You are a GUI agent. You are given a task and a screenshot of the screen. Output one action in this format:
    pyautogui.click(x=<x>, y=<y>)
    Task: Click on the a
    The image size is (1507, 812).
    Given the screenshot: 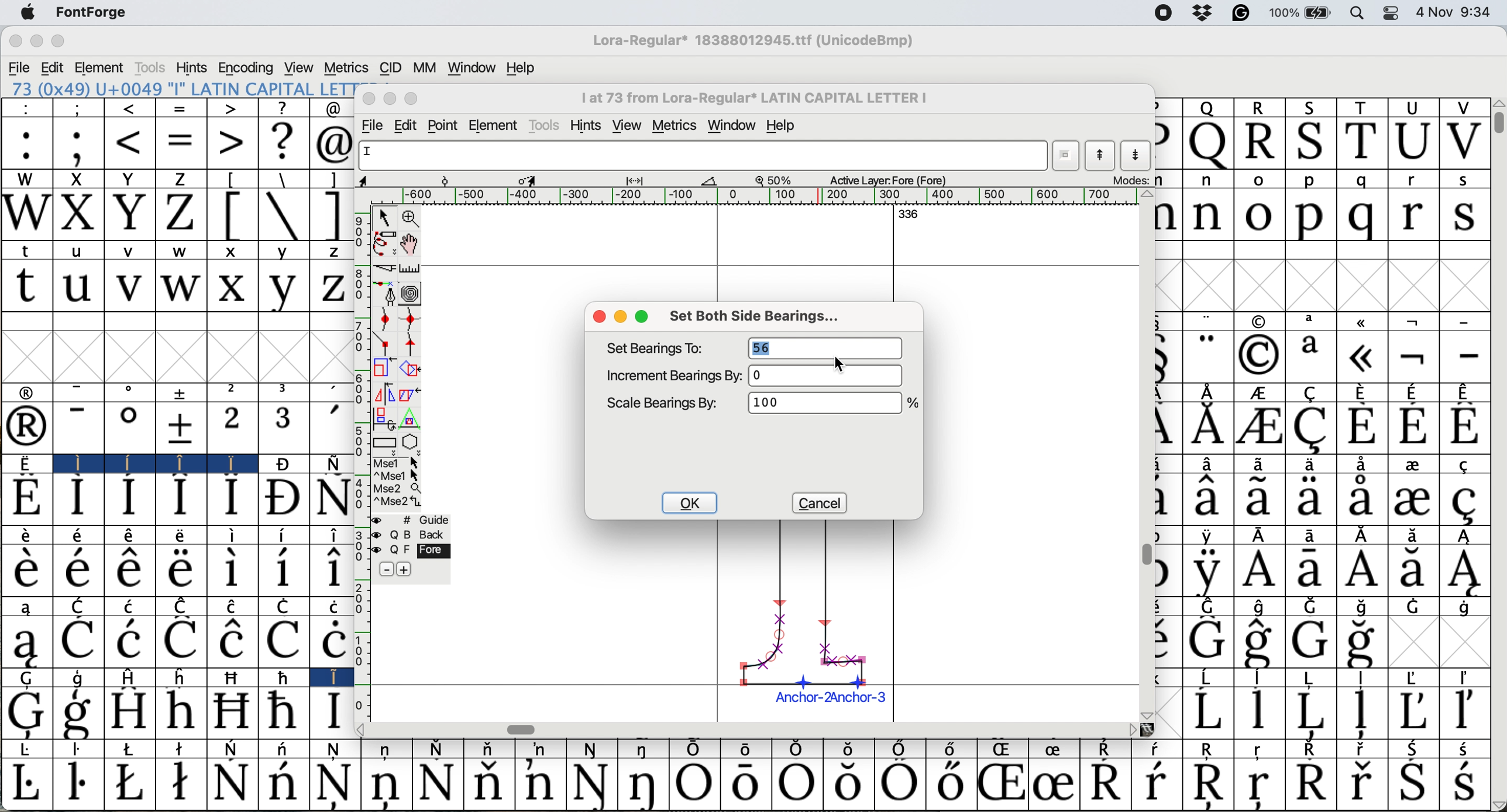 What is the action you would take?
    pyautogui.click(x=27, y=605)
    